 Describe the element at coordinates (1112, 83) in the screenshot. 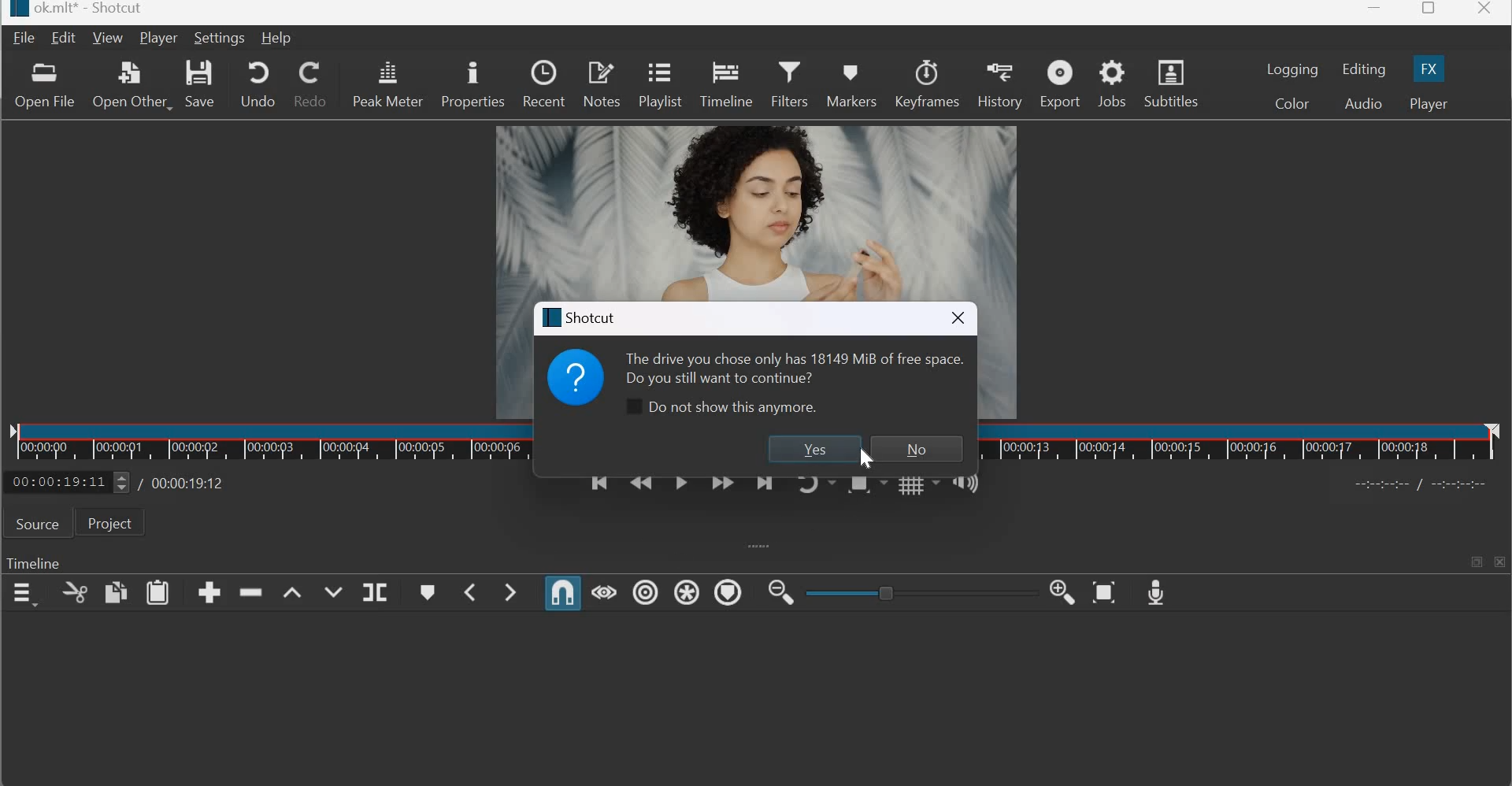

I see `Jobs` at that location.